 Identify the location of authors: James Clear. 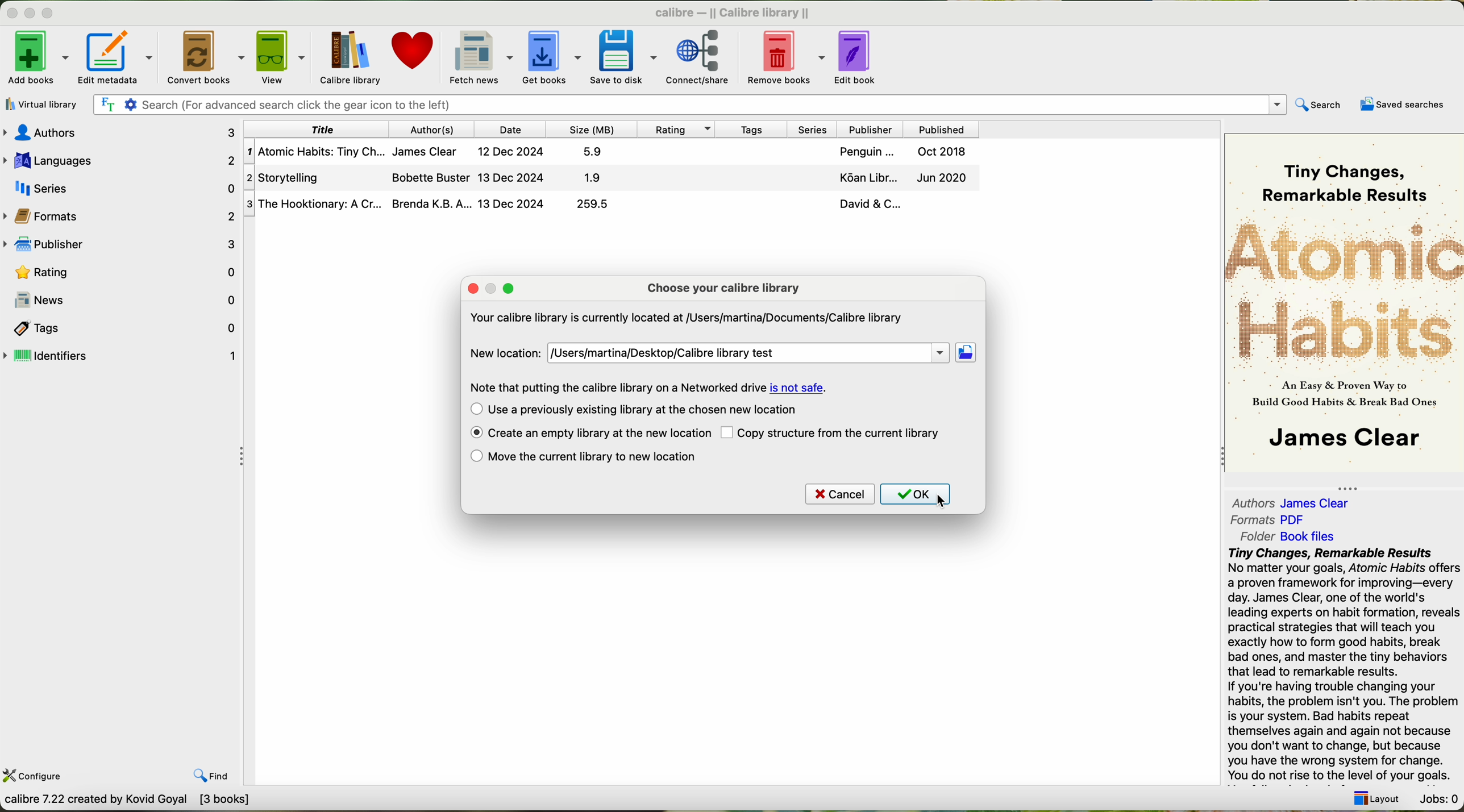
(1288, 500).